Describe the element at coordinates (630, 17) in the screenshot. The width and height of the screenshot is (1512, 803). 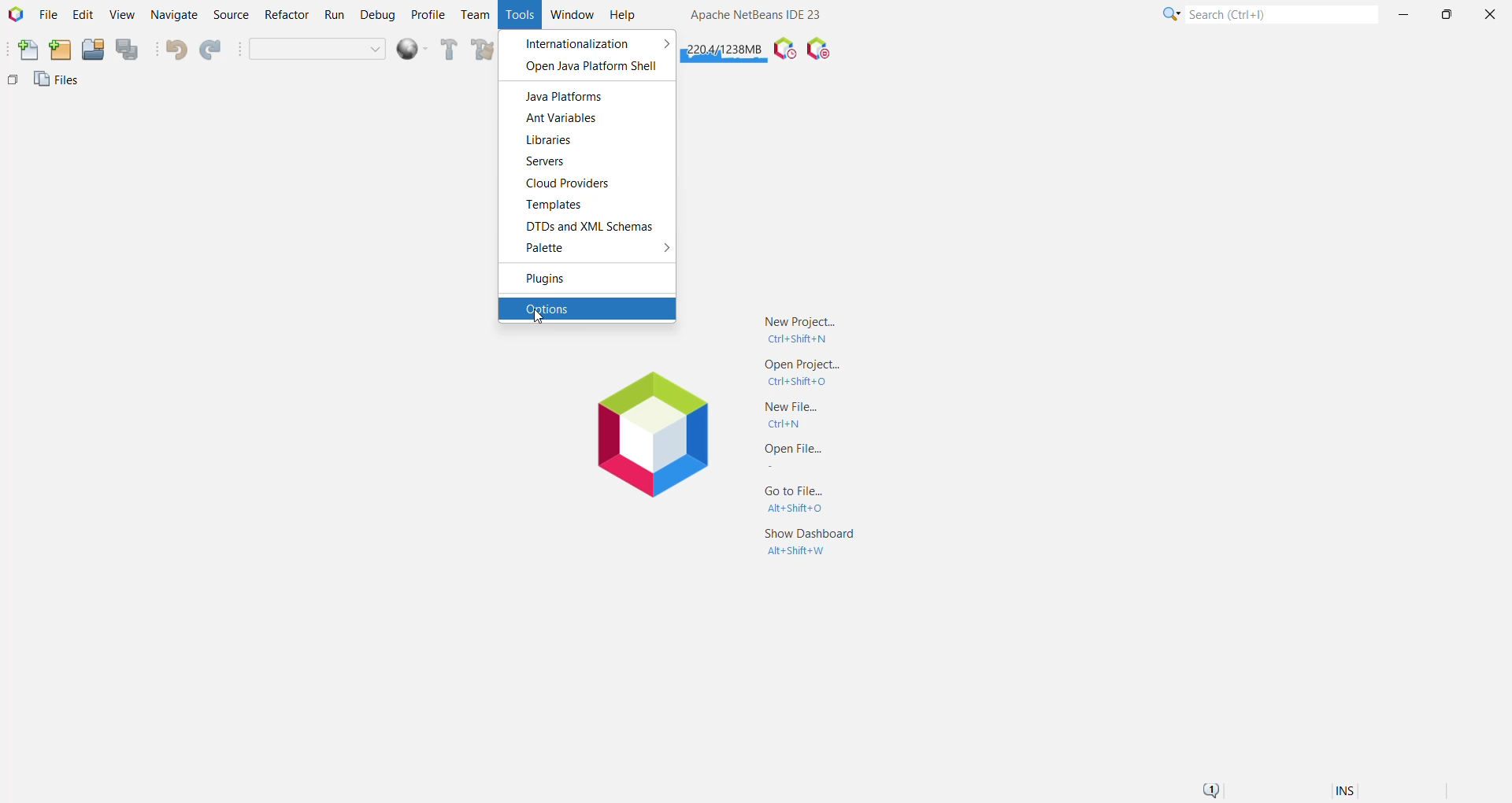
I see `Help` at that location.